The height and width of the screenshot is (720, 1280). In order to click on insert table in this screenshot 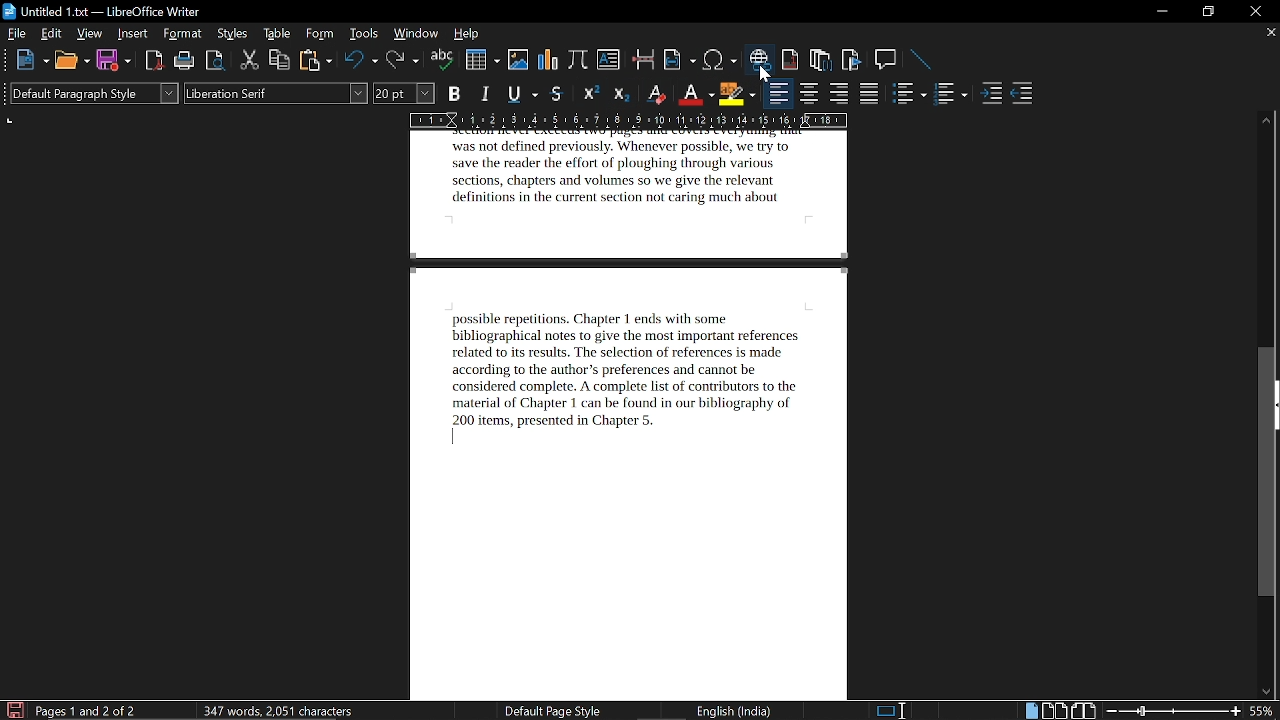, I will do `click(482, 60)`.